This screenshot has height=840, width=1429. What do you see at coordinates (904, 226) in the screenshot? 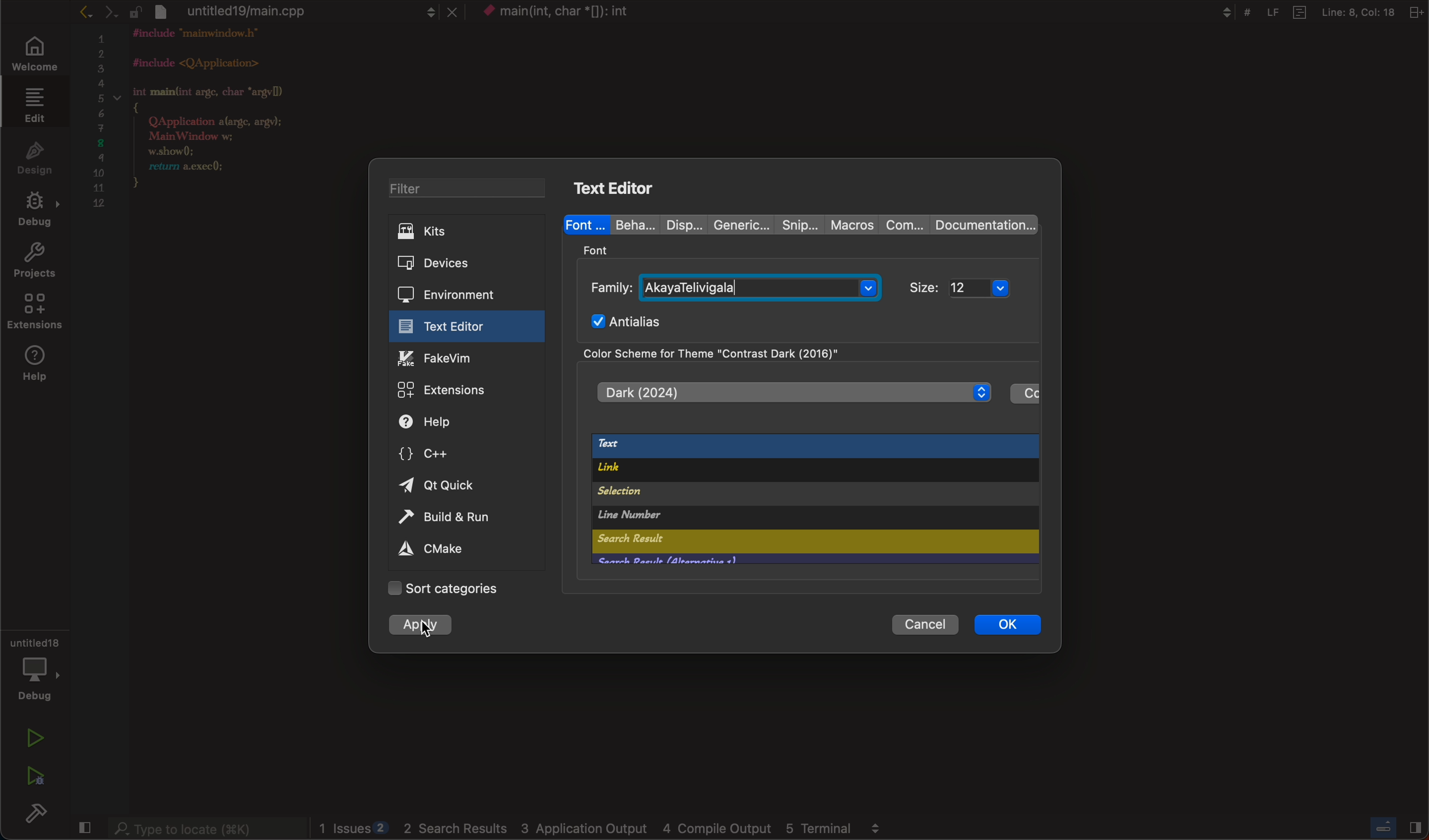
I see `com` at bounding box center [904, 226].